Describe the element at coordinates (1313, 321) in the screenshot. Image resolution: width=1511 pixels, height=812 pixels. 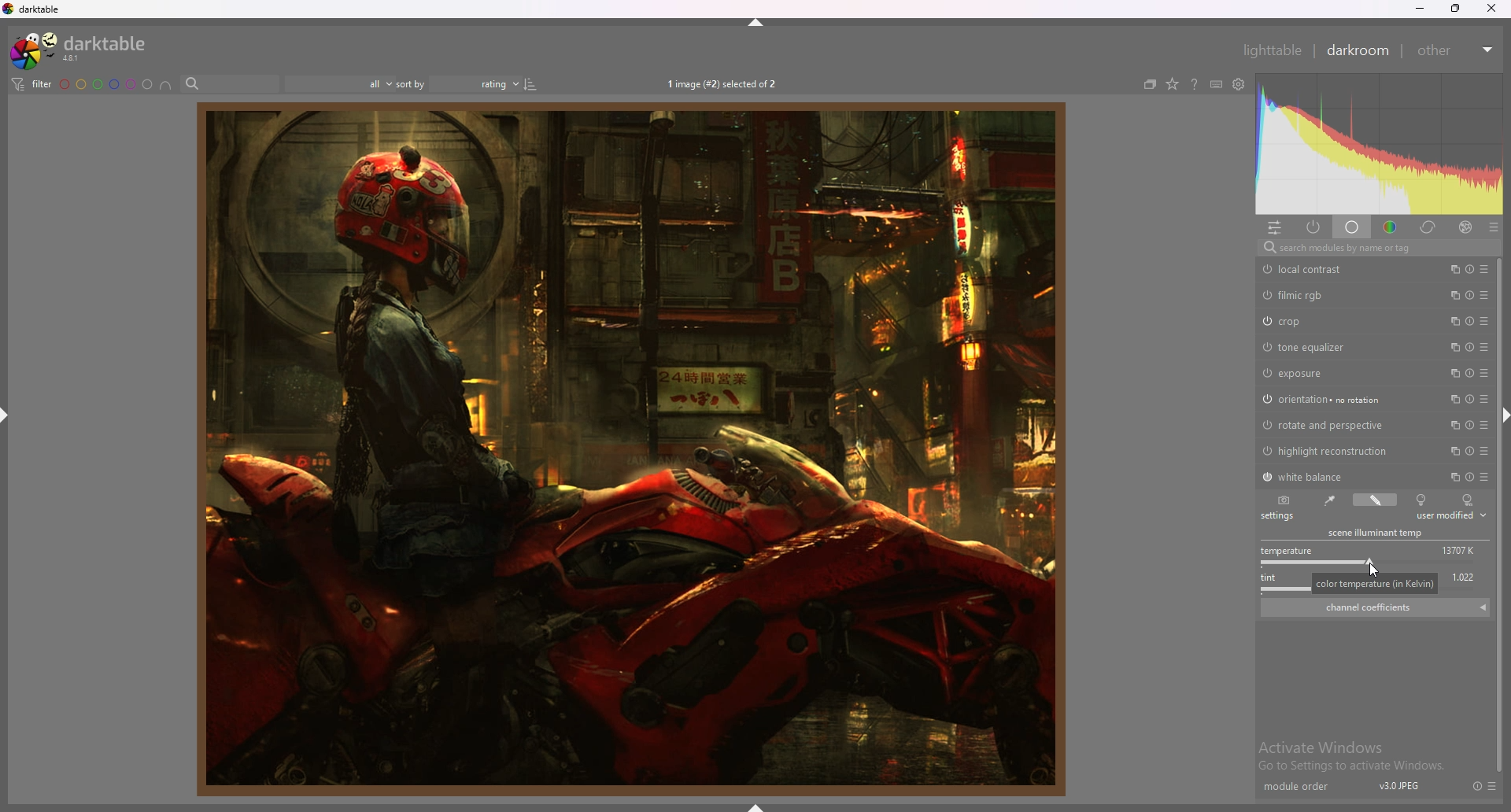
I see `crop` at that location.